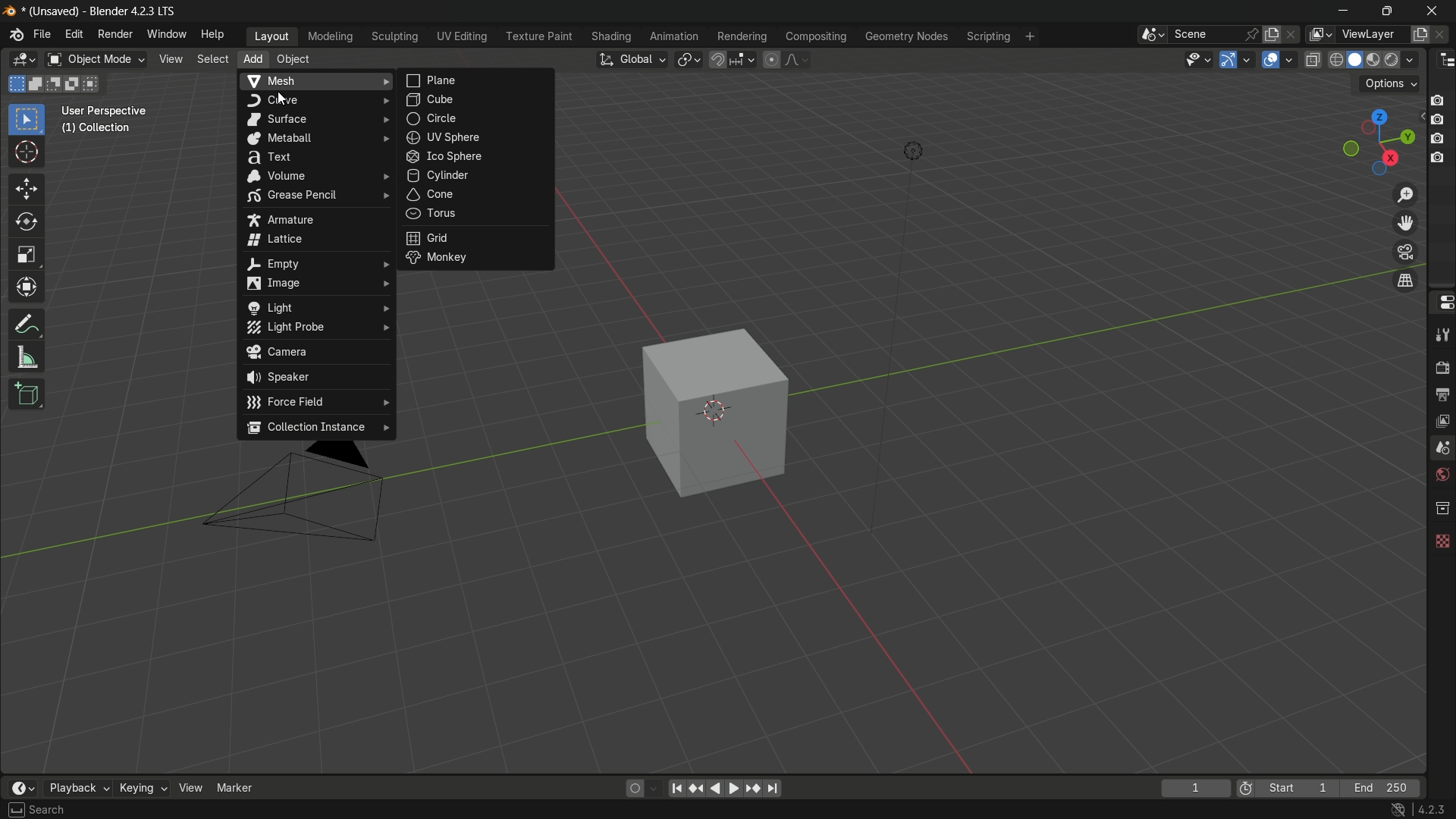  Describe the element at coordinates (690, 59) in the screenshot. I see `transformation pivot table` at that location.